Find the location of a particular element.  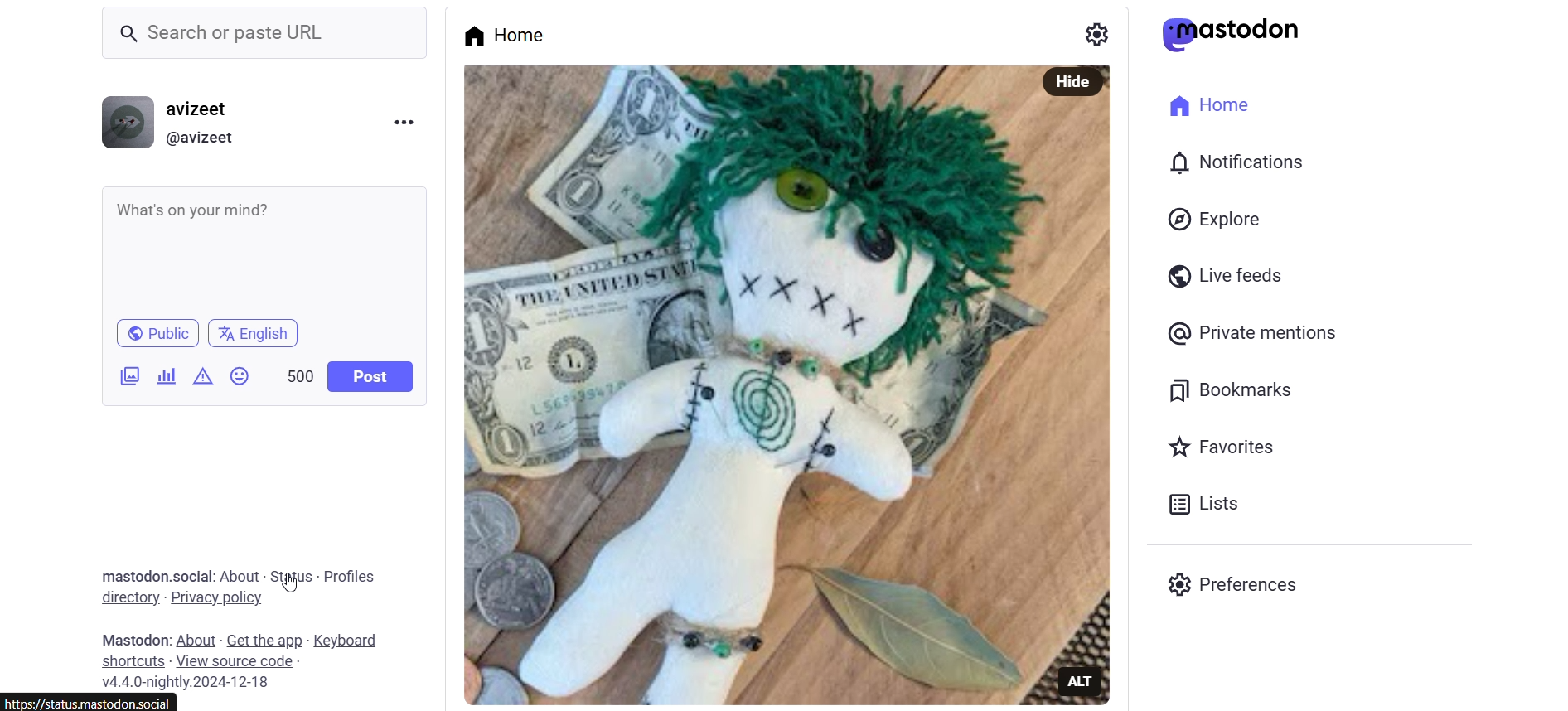

link is located at coordinates (93, 701).